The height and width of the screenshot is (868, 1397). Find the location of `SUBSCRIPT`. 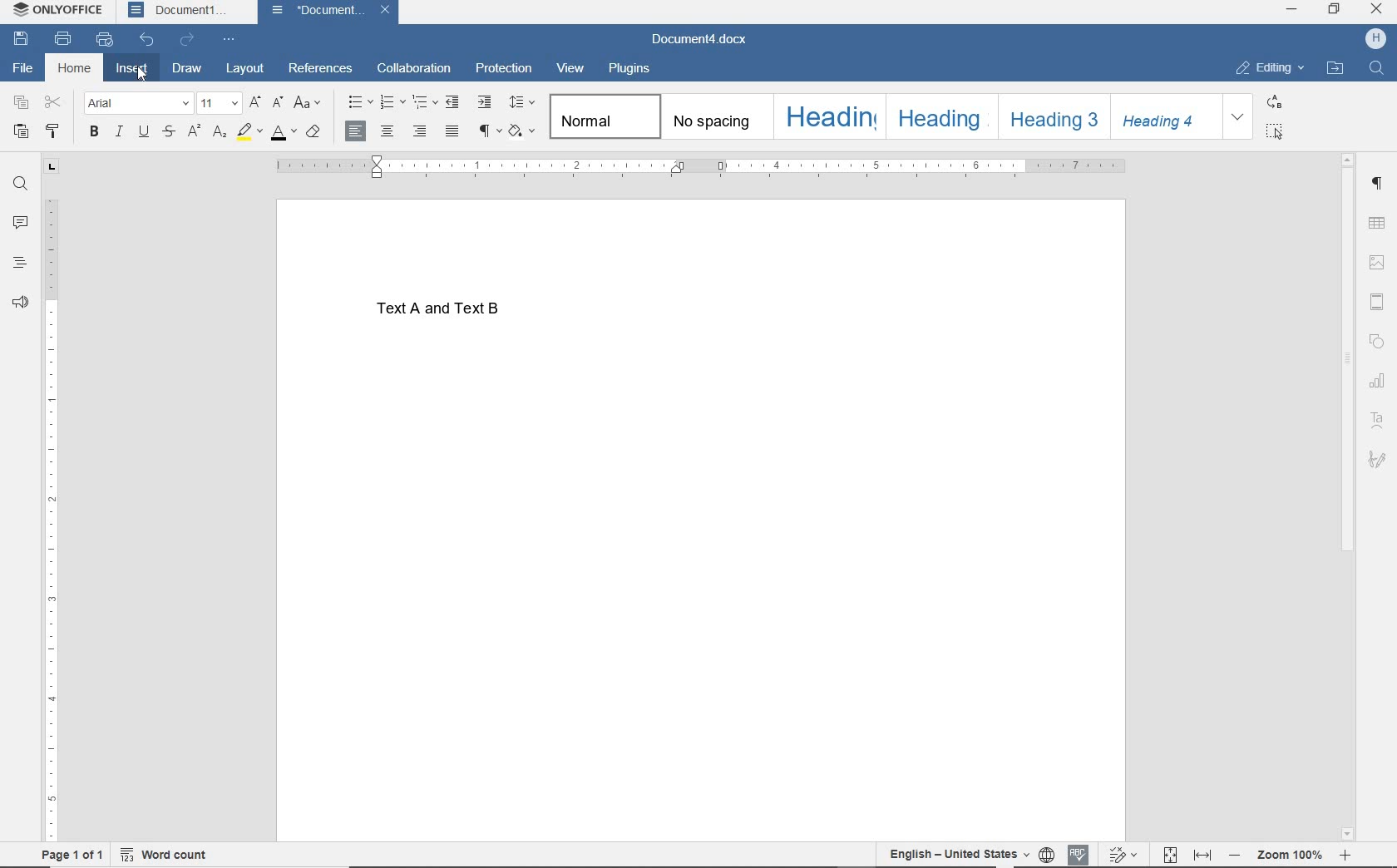

SUBSCRIPT is located at coordinates (219, 133).